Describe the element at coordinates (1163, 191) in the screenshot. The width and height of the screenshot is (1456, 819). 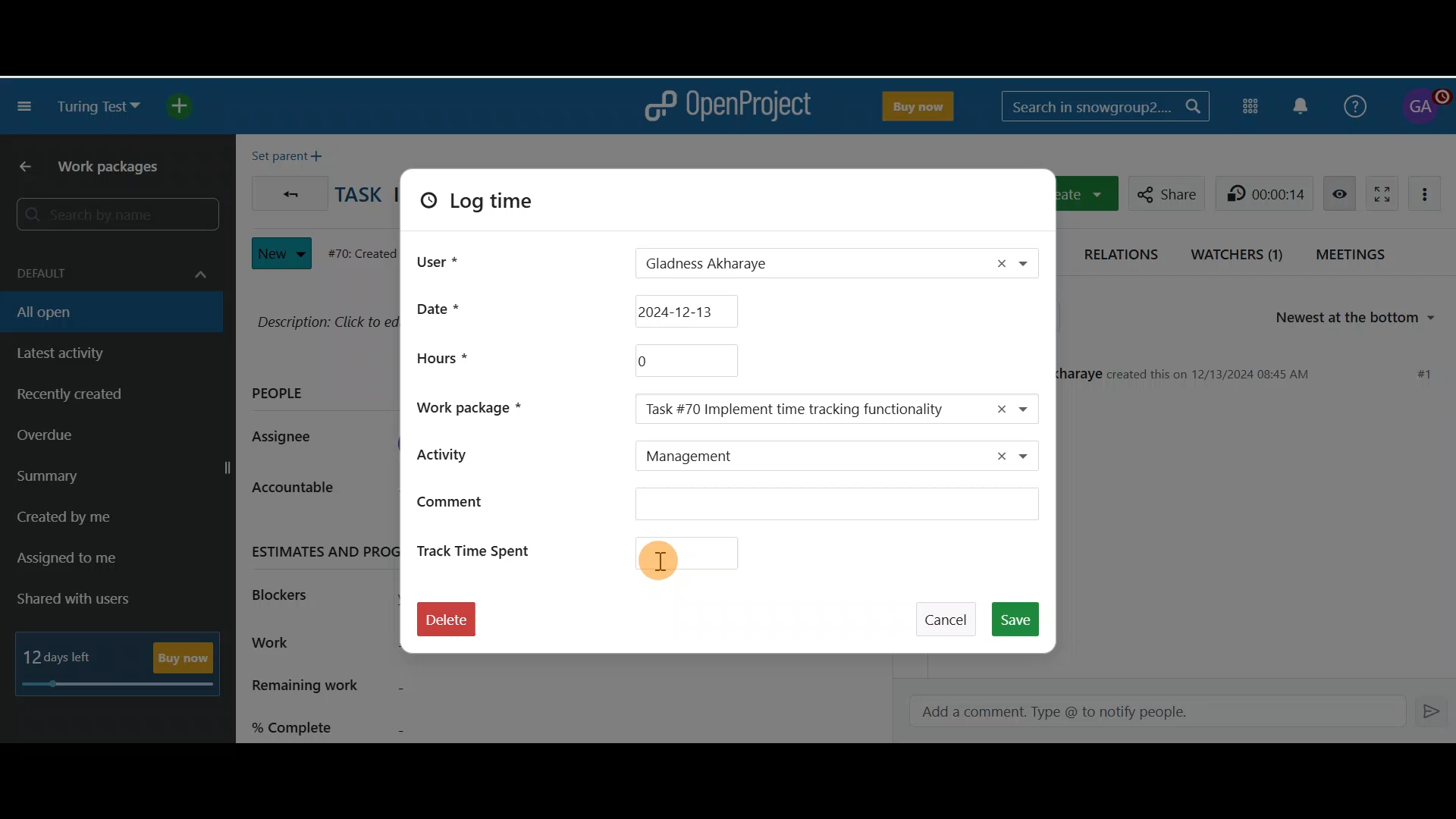
I see `Share` at that location.